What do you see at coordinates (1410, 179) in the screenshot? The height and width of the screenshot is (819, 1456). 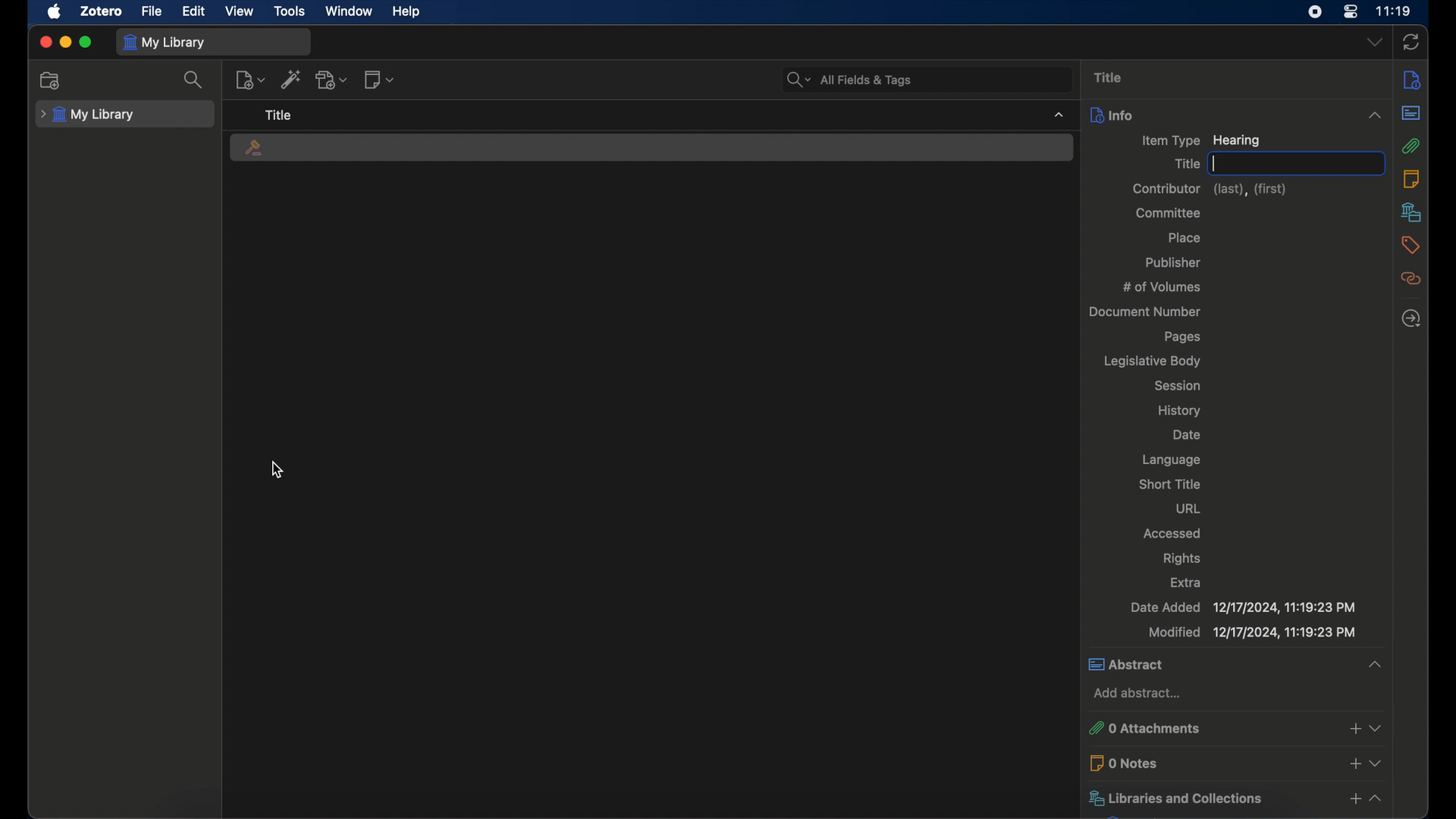 I see `notes` at bounding box center [1410, 179].